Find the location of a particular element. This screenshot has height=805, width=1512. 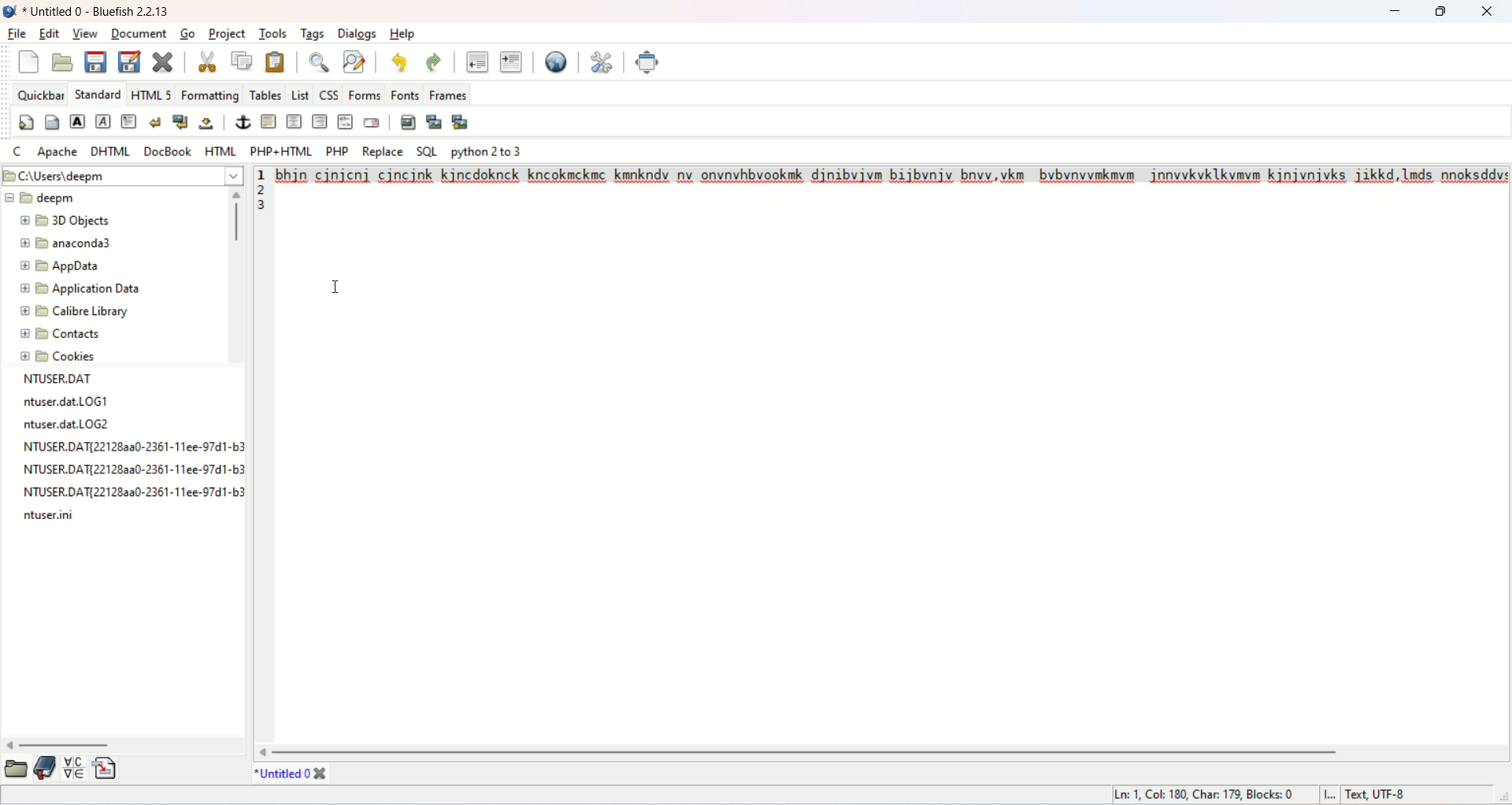

text is located at coordinates (894, 180).